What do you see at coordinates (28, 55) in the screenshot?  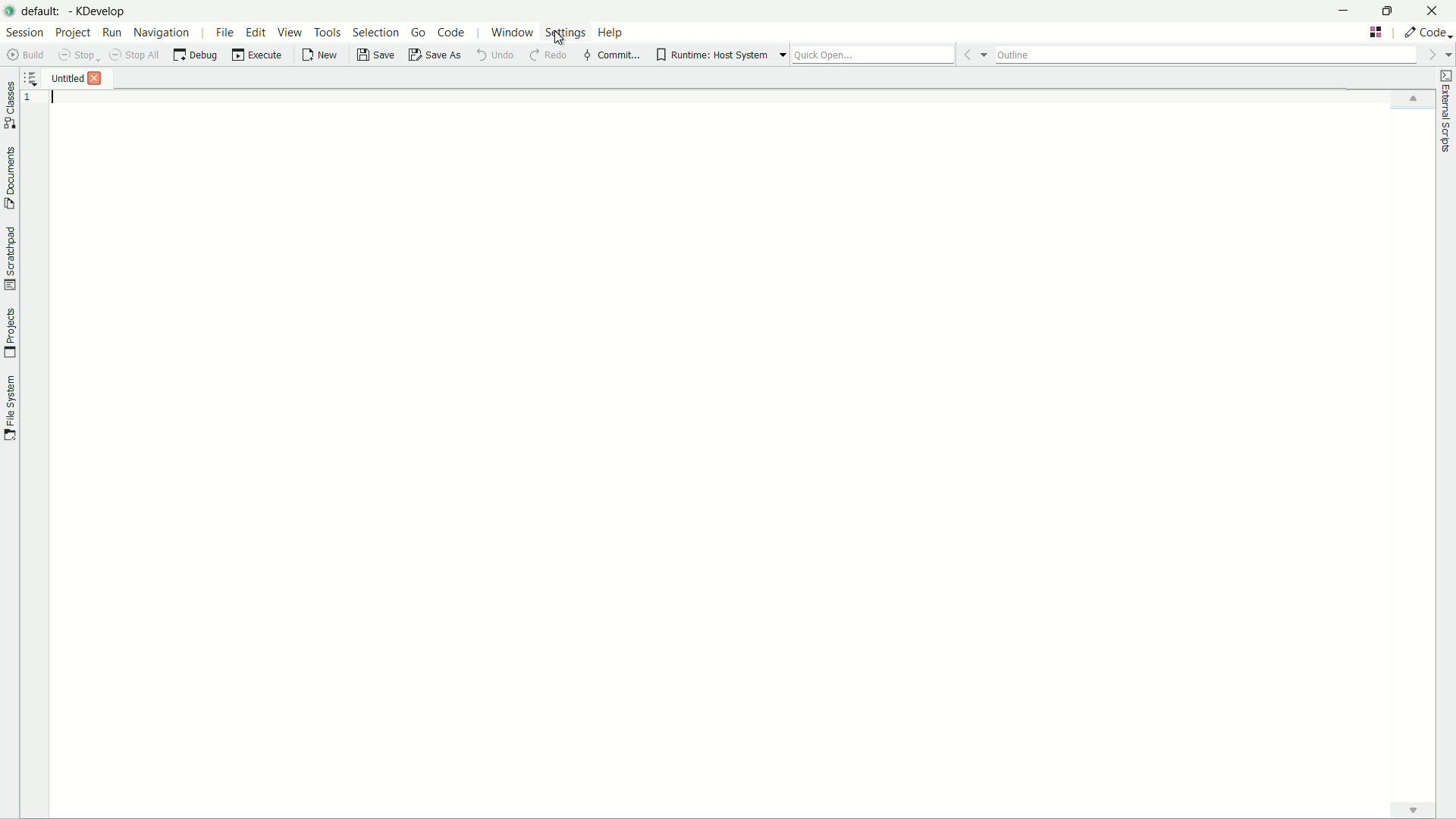 I see `build` at bounding box center [28, 55].